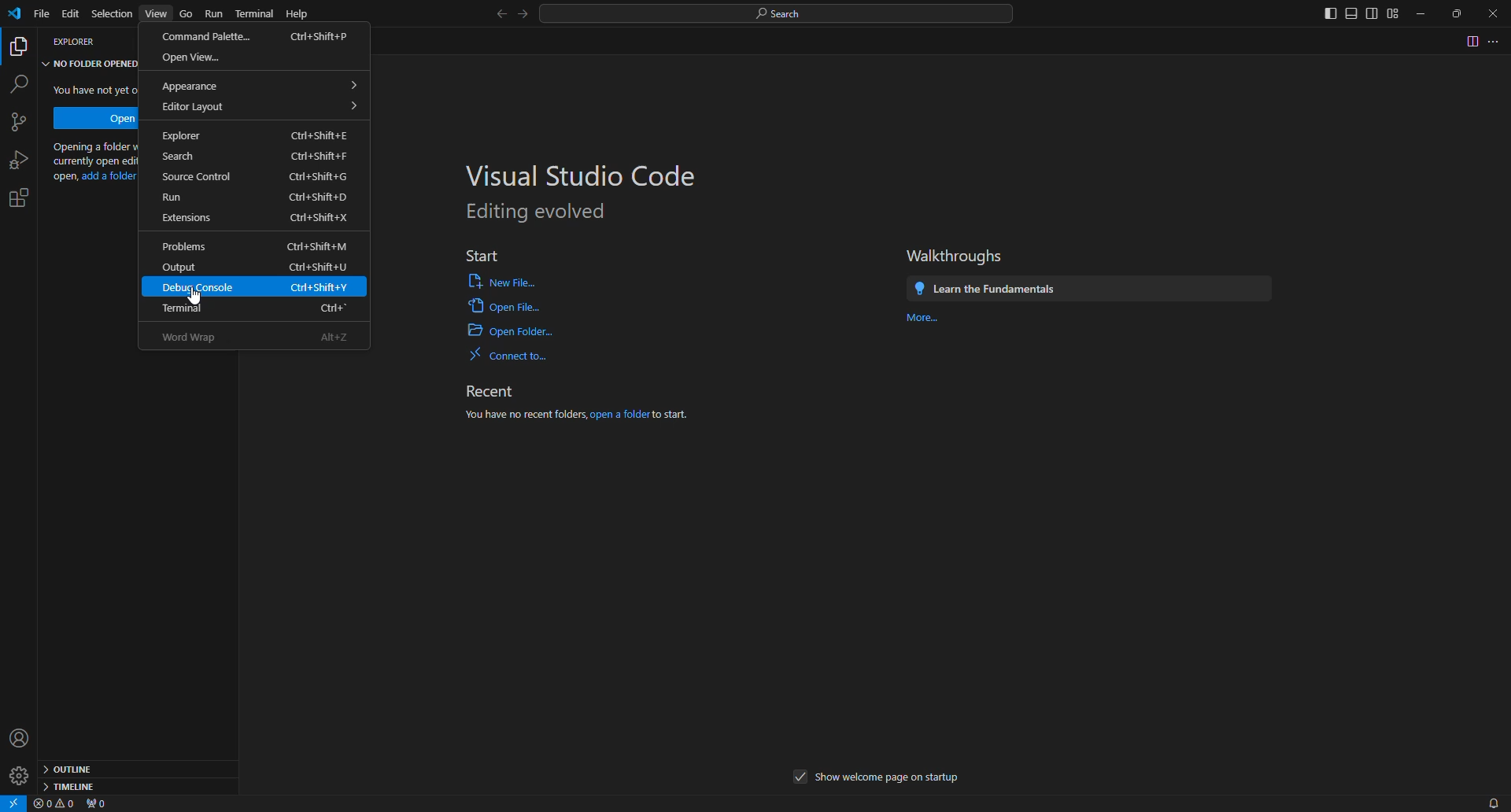  What do you see at coordinates (257, 288) in the screenshot?
I see `Debug Console` at bounding box center [257, 288].